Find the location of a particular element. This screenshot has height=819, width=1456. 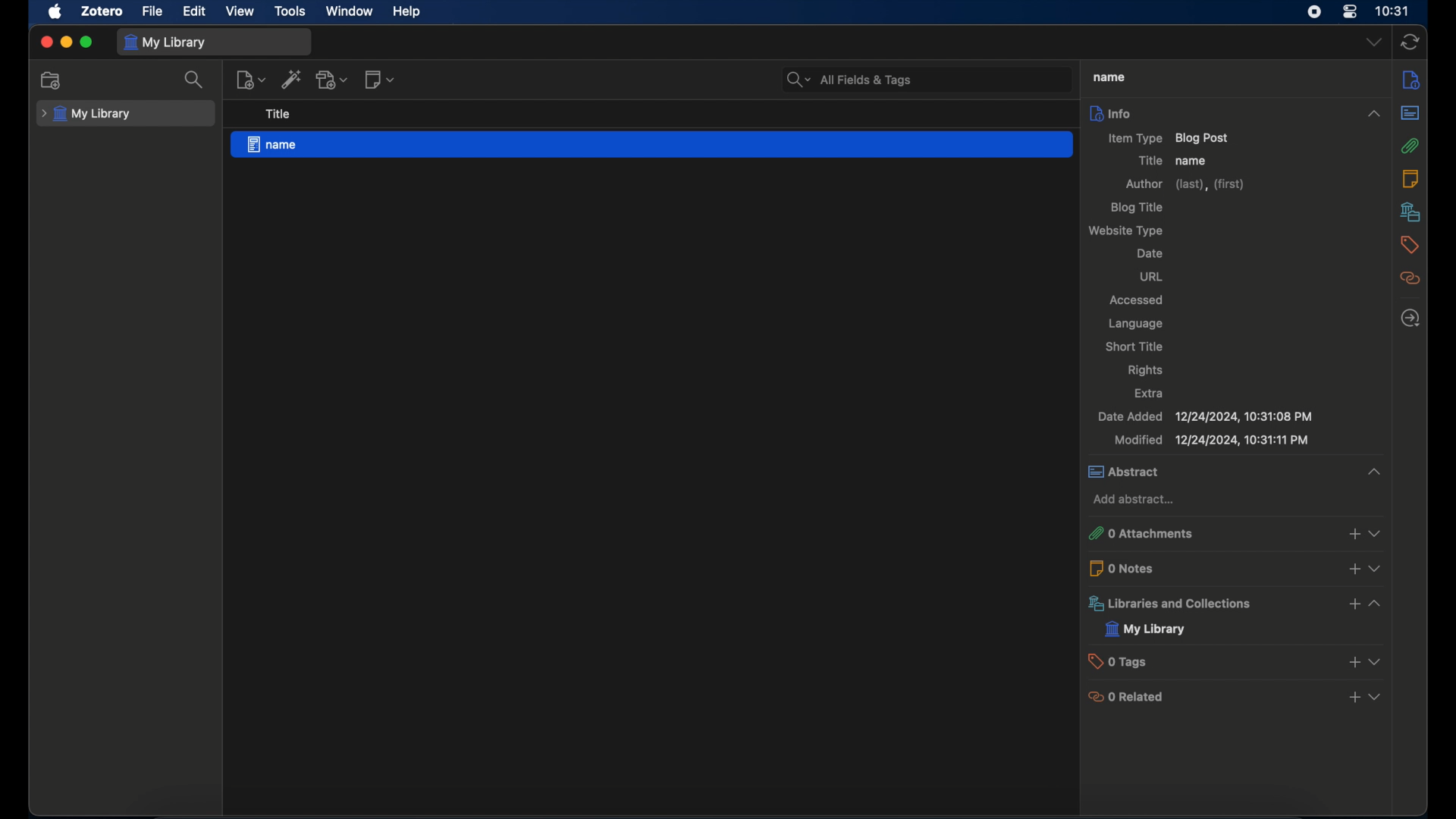

name is located at coordinates (652, 143).